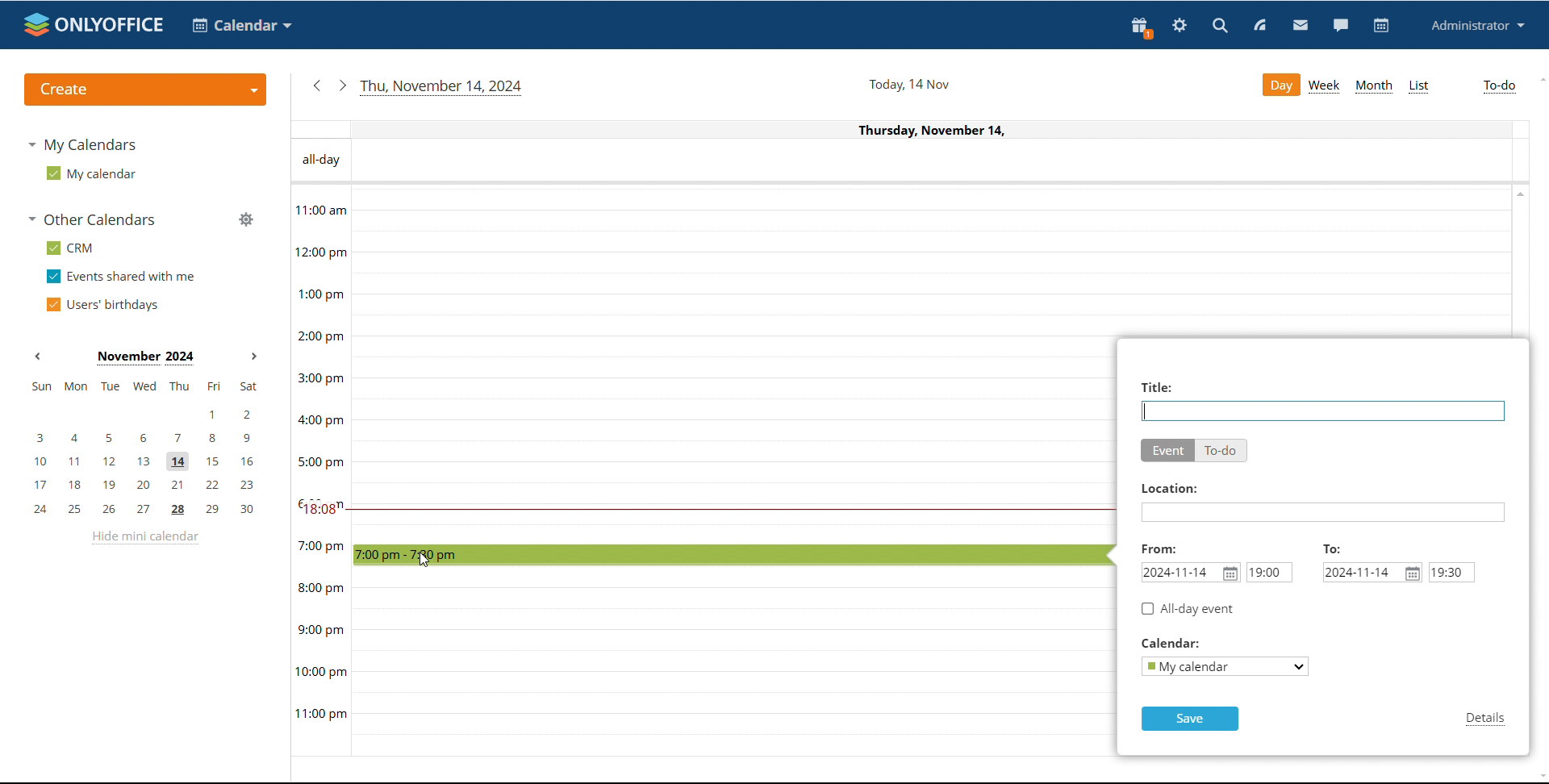 The height and width of the screenshot is (784, 1549). What do you see at coordinates (82, 144) in the screenshot?
I see `my calendars` at bounding box center [82, 144].